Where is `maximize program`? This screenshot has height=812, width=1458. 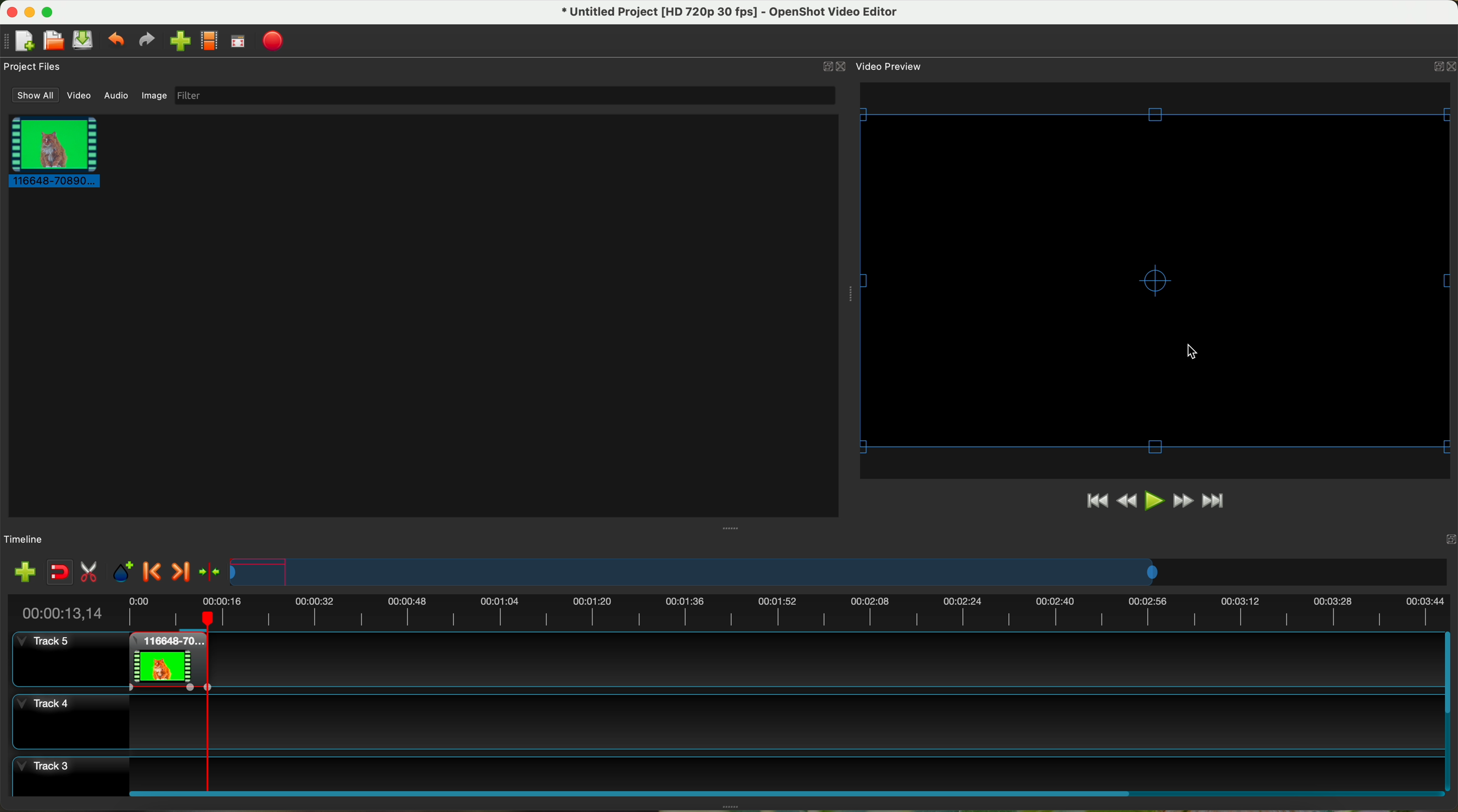 maximize program is located at coordinates (49, 12).